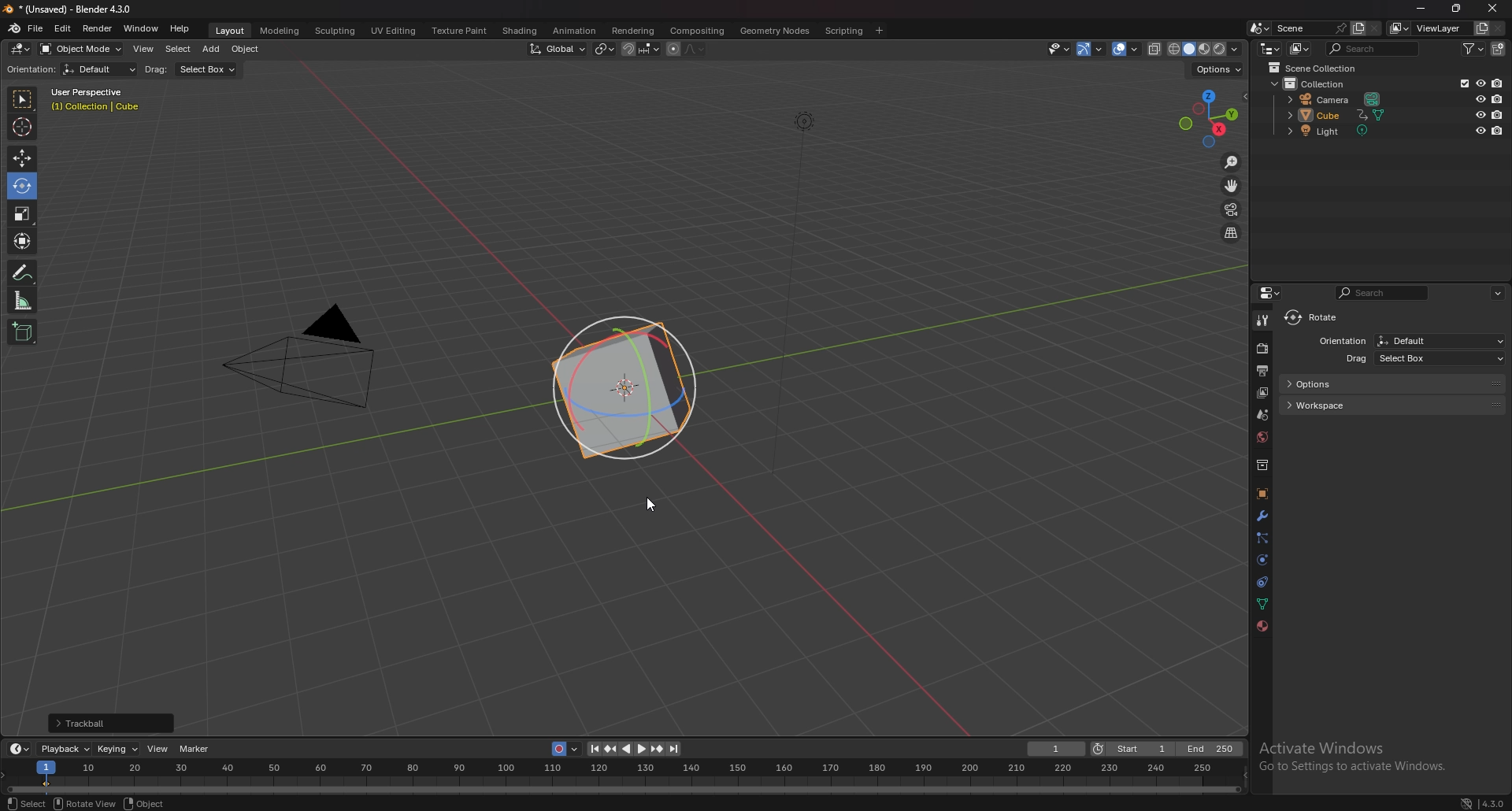 Image resolution: width=1512 pixels, height=811 pixels. What do you see at coordinates (1232, 185) in the screenshot?
I see `move` at bounding box center [1232, 185].